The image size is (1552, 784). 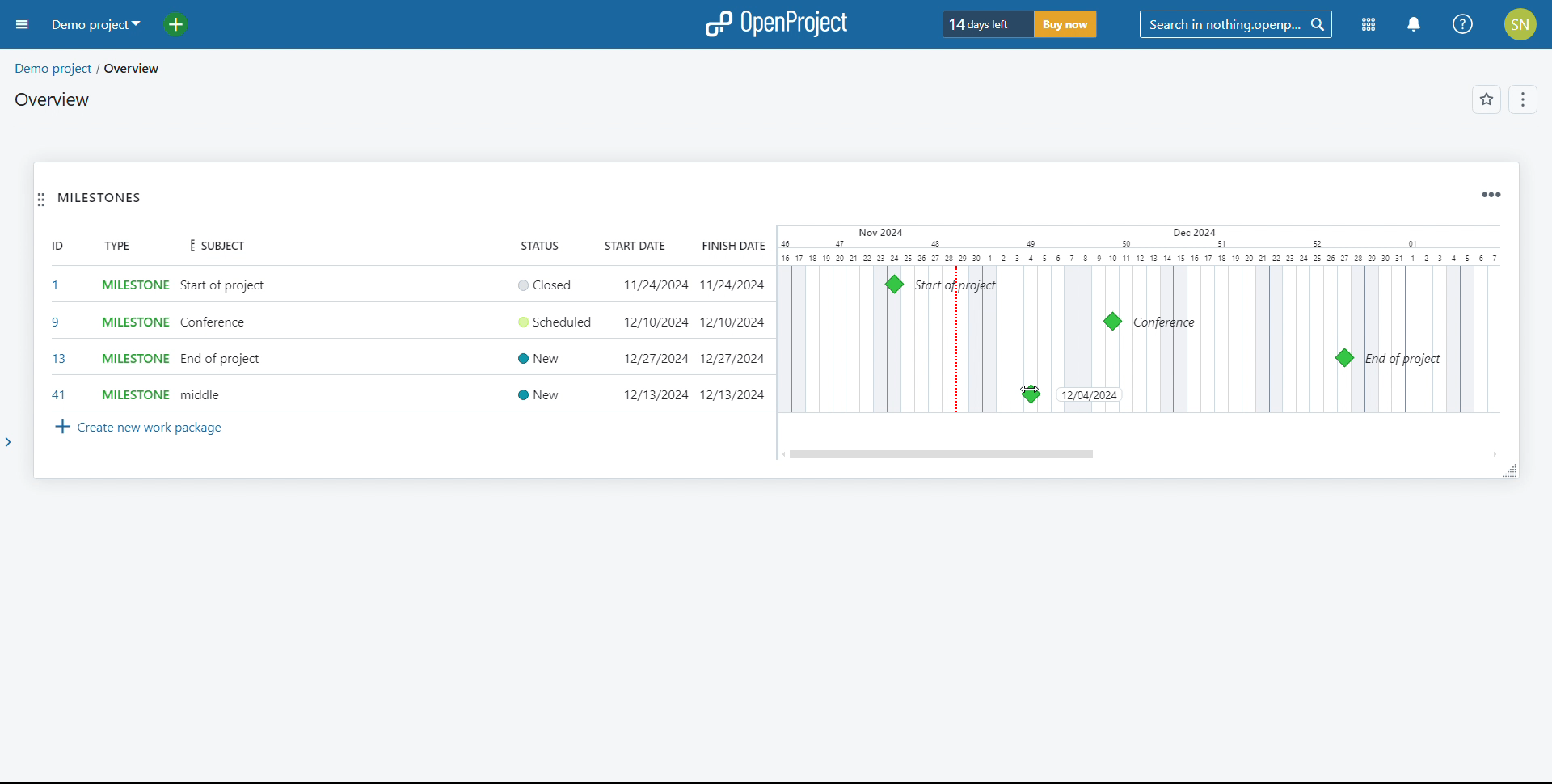 I want to click on move widget, so click(x=41, y=199).